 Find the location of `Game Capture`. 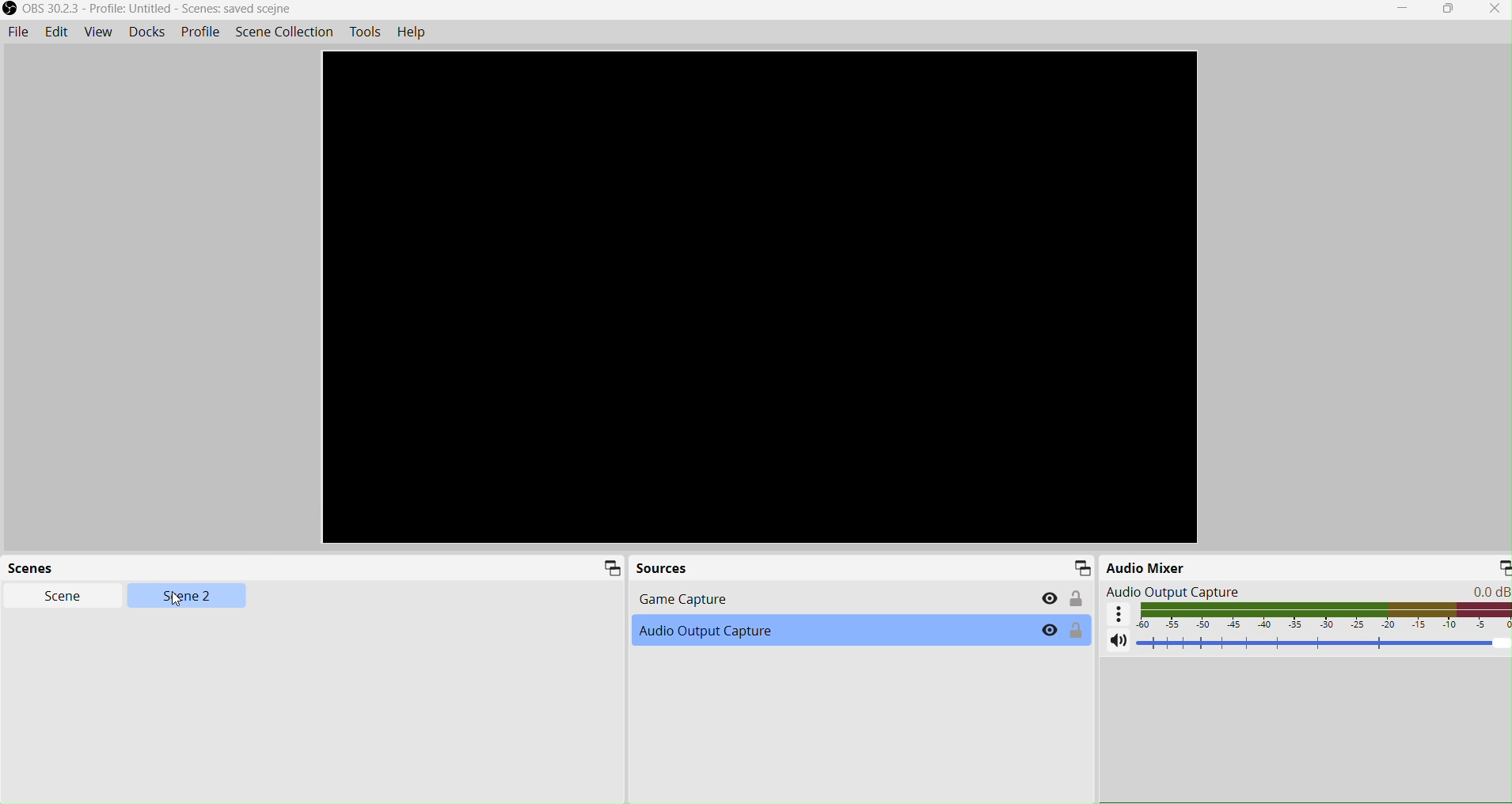

Game Capture is located at coordinates (821, 598).